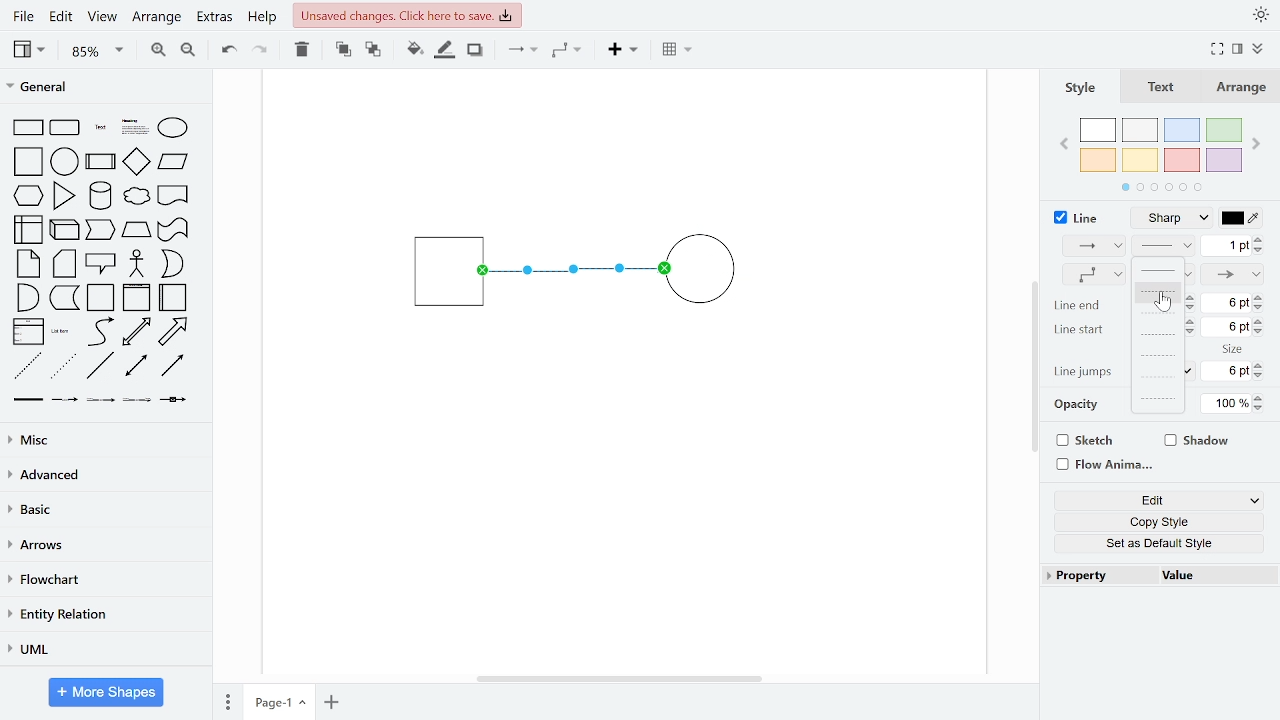 The width and height of the screenshot is (1280, 720). What do you see at coordinates (1213, 575) in the screenshot?
I see `value` at bounding box center [1213, 575].